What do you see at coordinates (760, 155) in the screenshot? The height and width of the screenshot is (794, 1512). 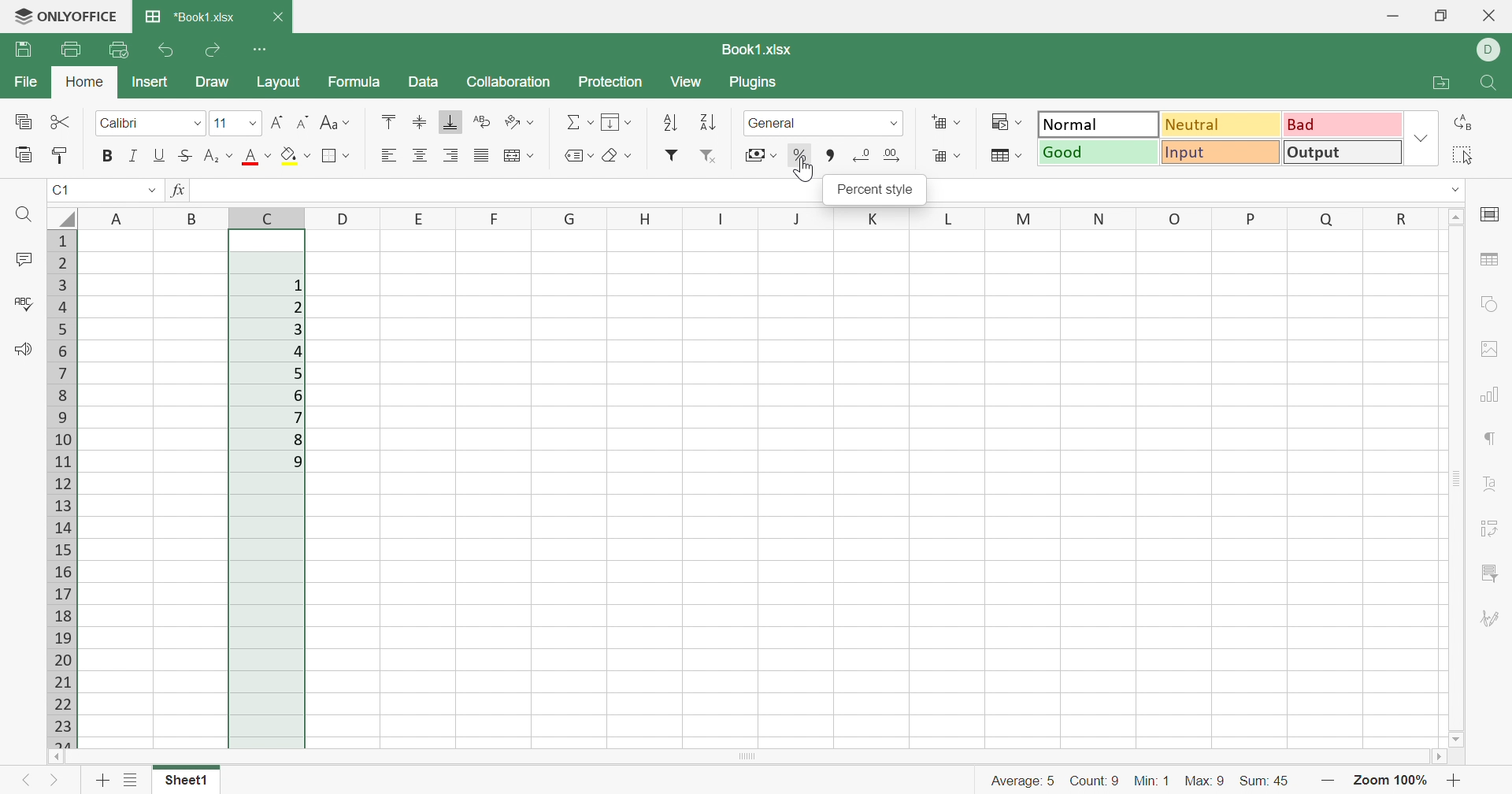 I see `Accounting style` at bounding box center [760, 155].